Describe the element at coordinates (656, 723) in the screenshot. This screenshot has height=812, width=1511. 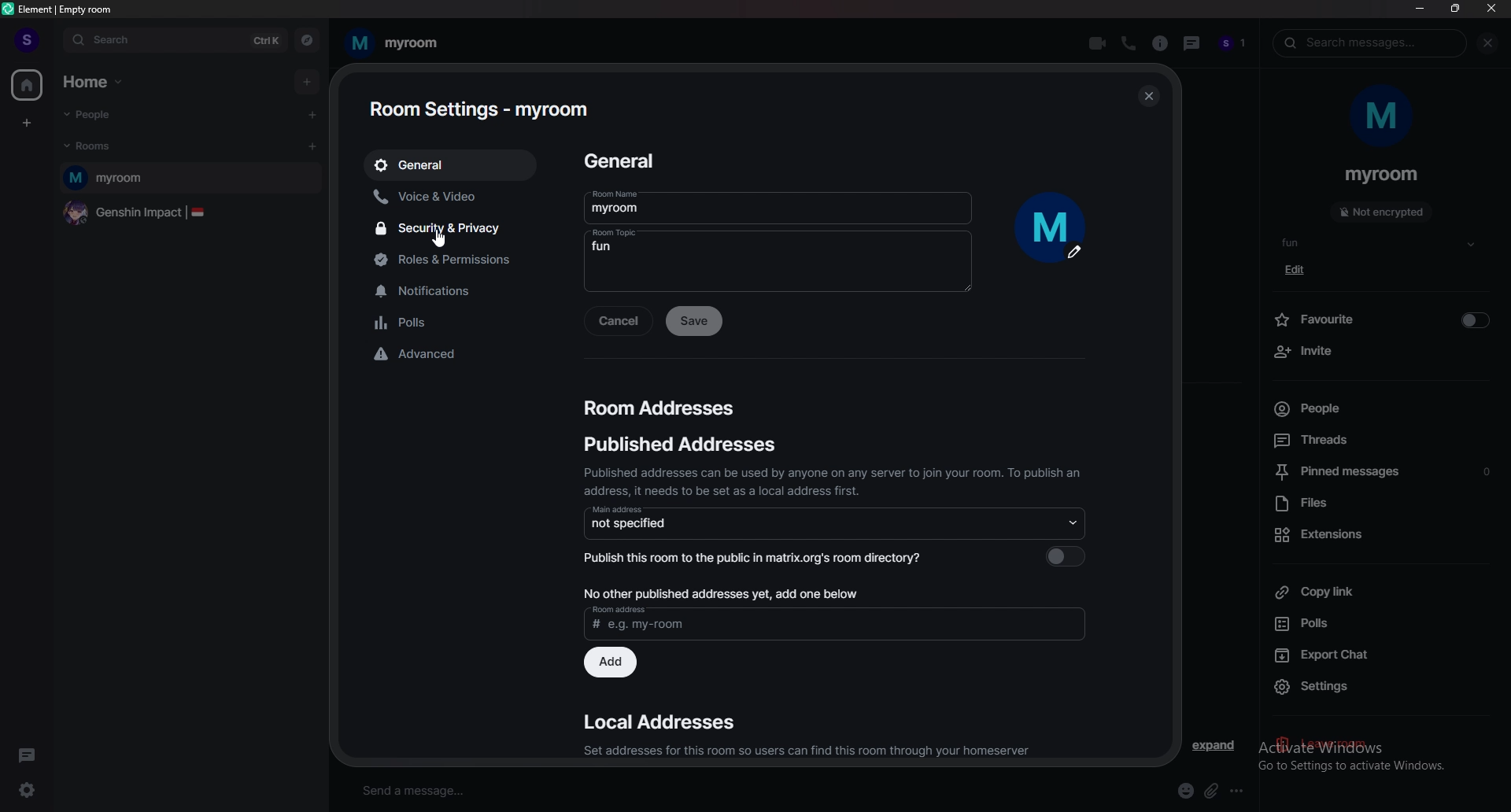
I see `local addresses` at that location.